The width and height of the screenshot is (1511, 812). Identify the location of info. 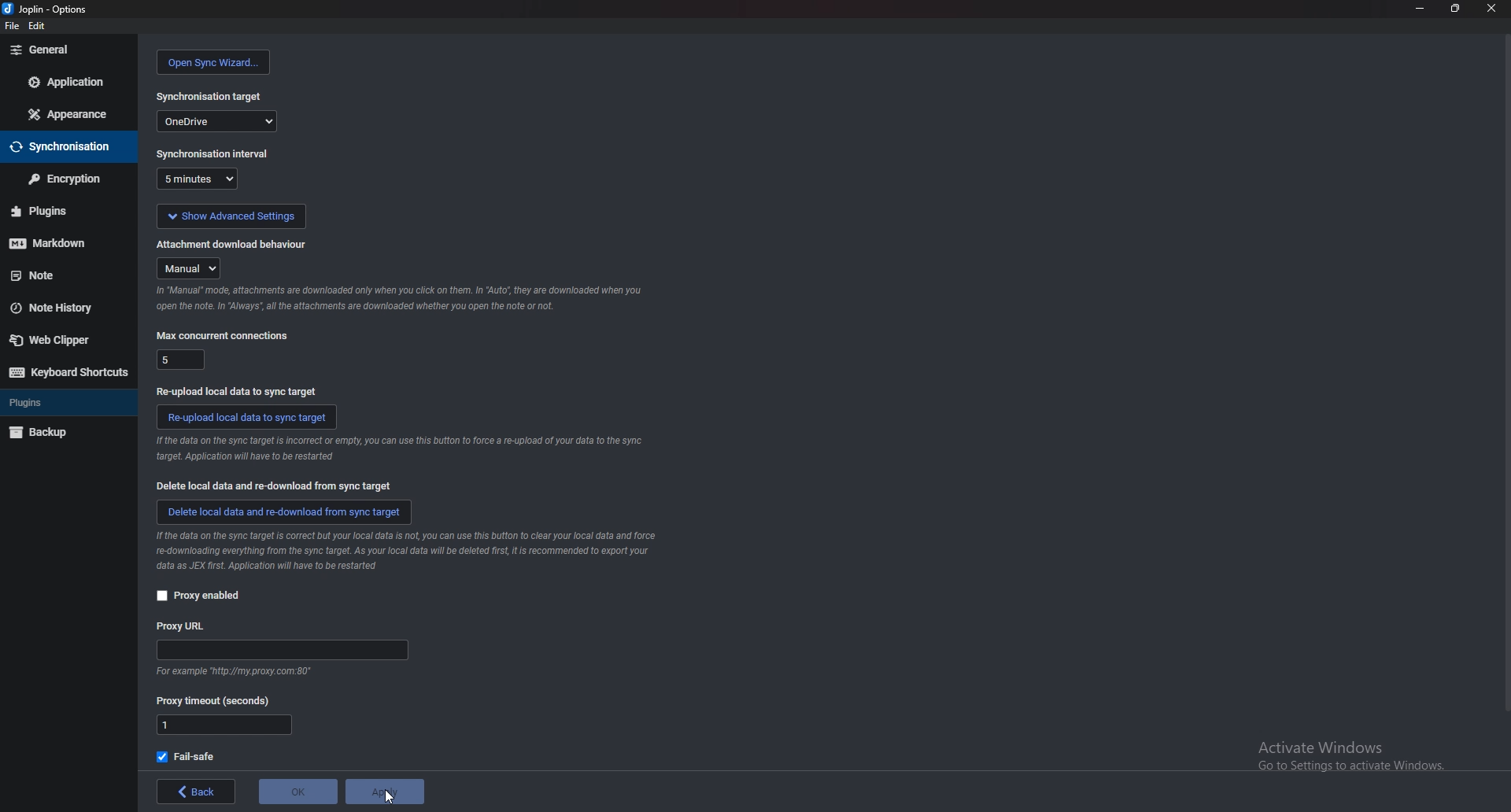
(403, 299).